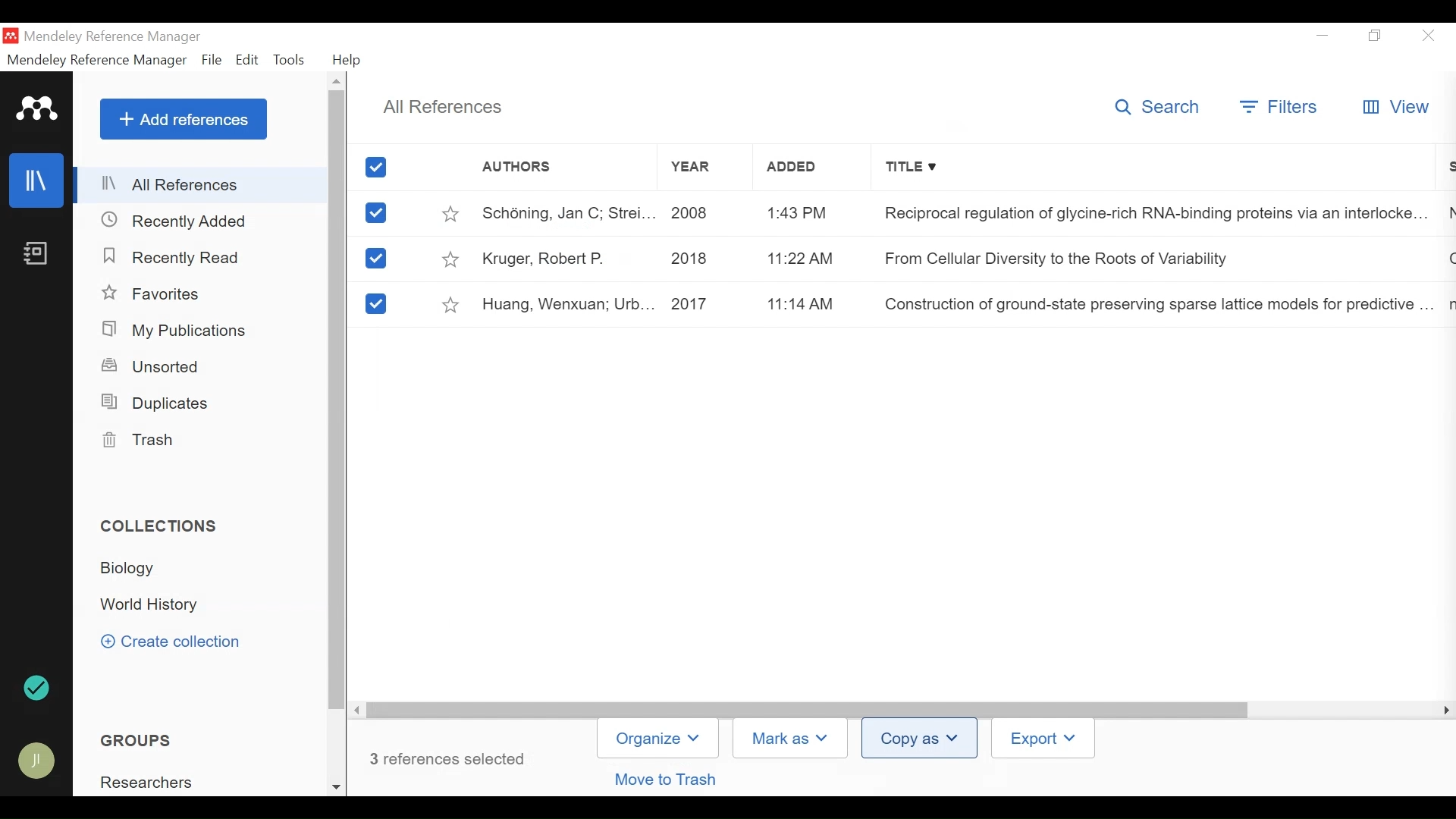  Describe the element at coordinates (36, 180) in the screenshot. I see `Library` at that location.